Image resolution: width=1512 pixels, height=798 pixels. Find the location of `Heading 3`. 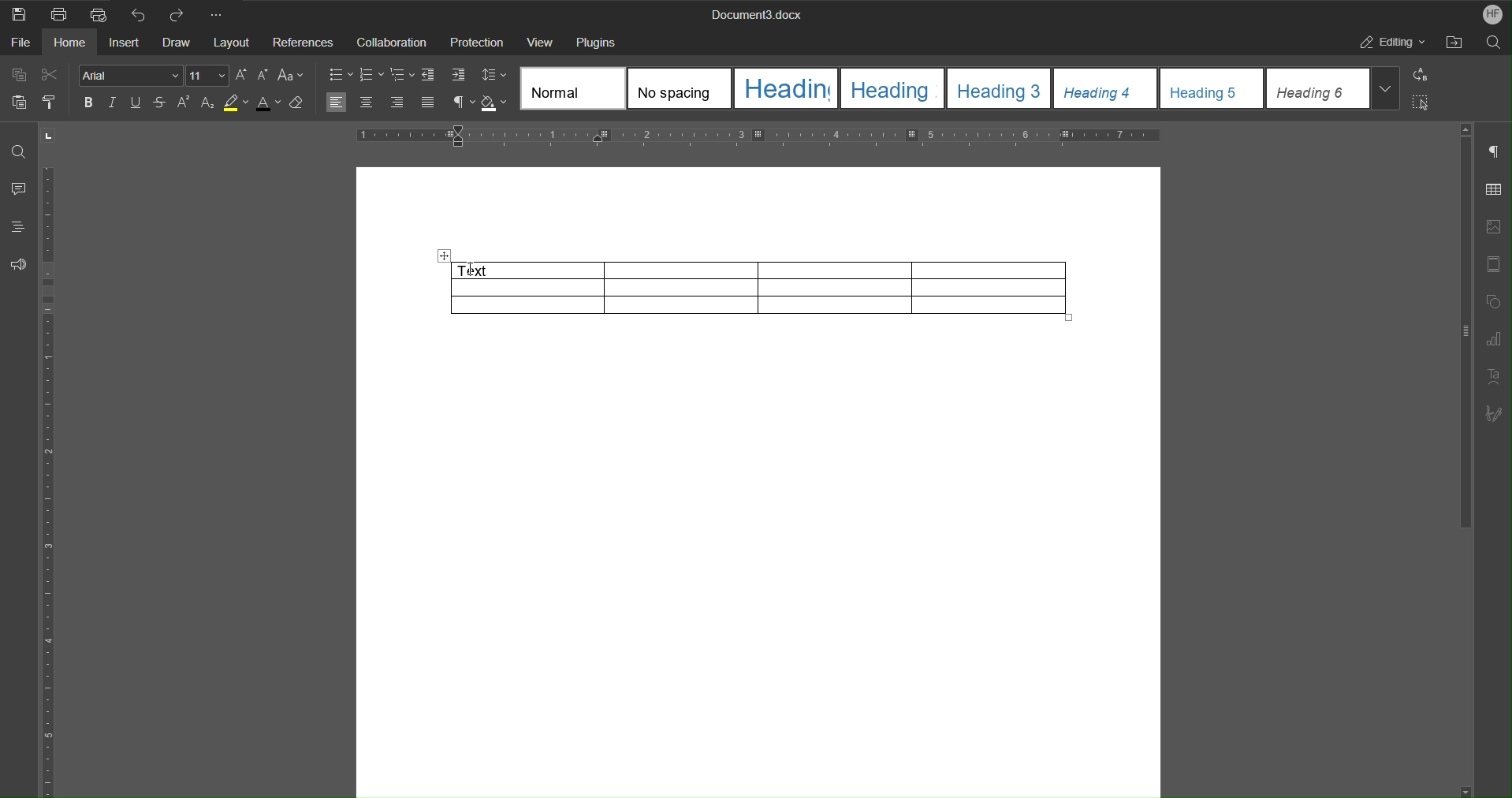

Heading 3 is located at coordinates (999, 88).